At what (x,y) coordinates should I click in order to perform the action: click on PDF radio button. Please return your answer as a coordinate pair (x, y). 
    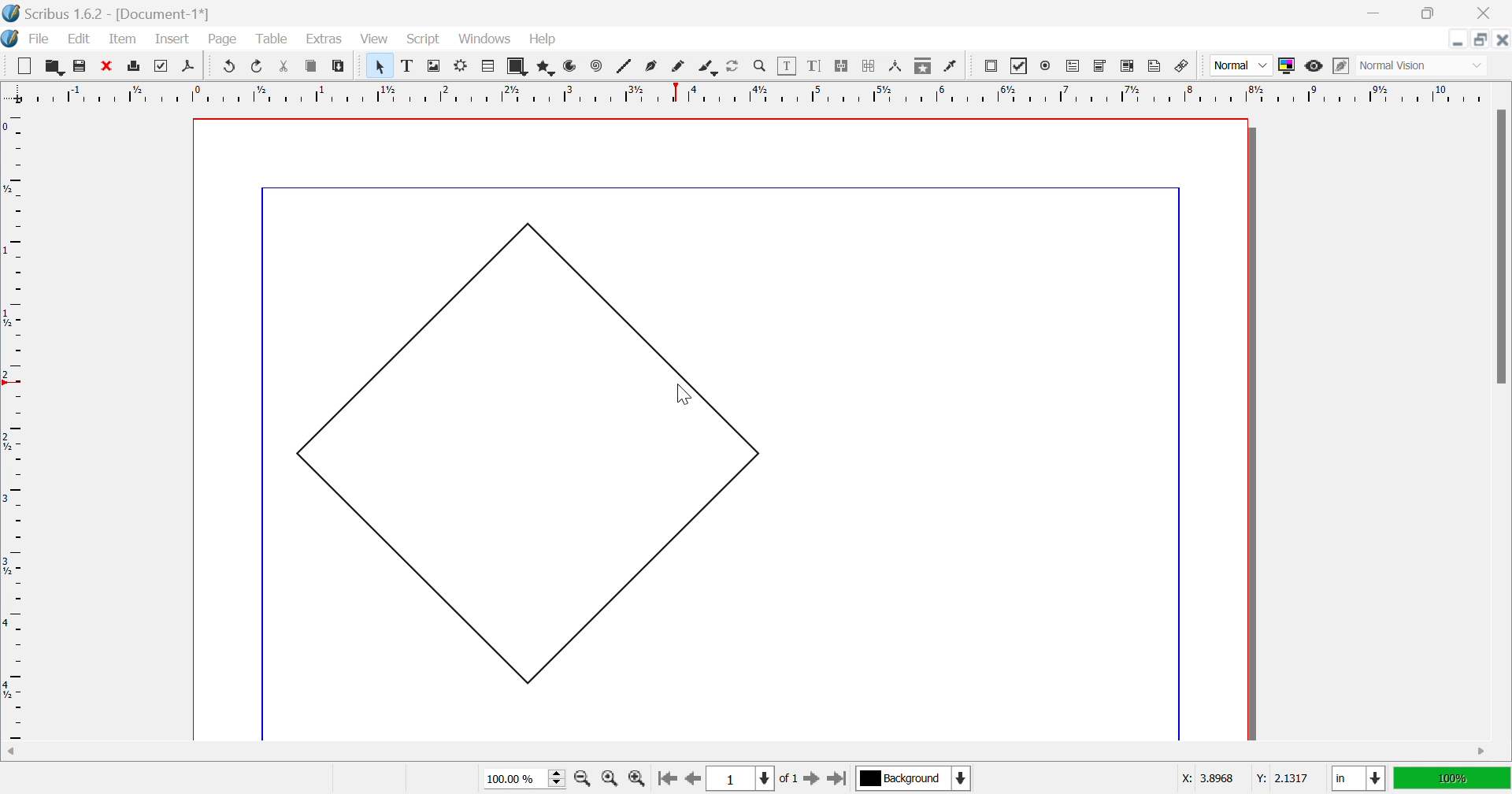
    Looking at the image, I should click on (1048, 64).